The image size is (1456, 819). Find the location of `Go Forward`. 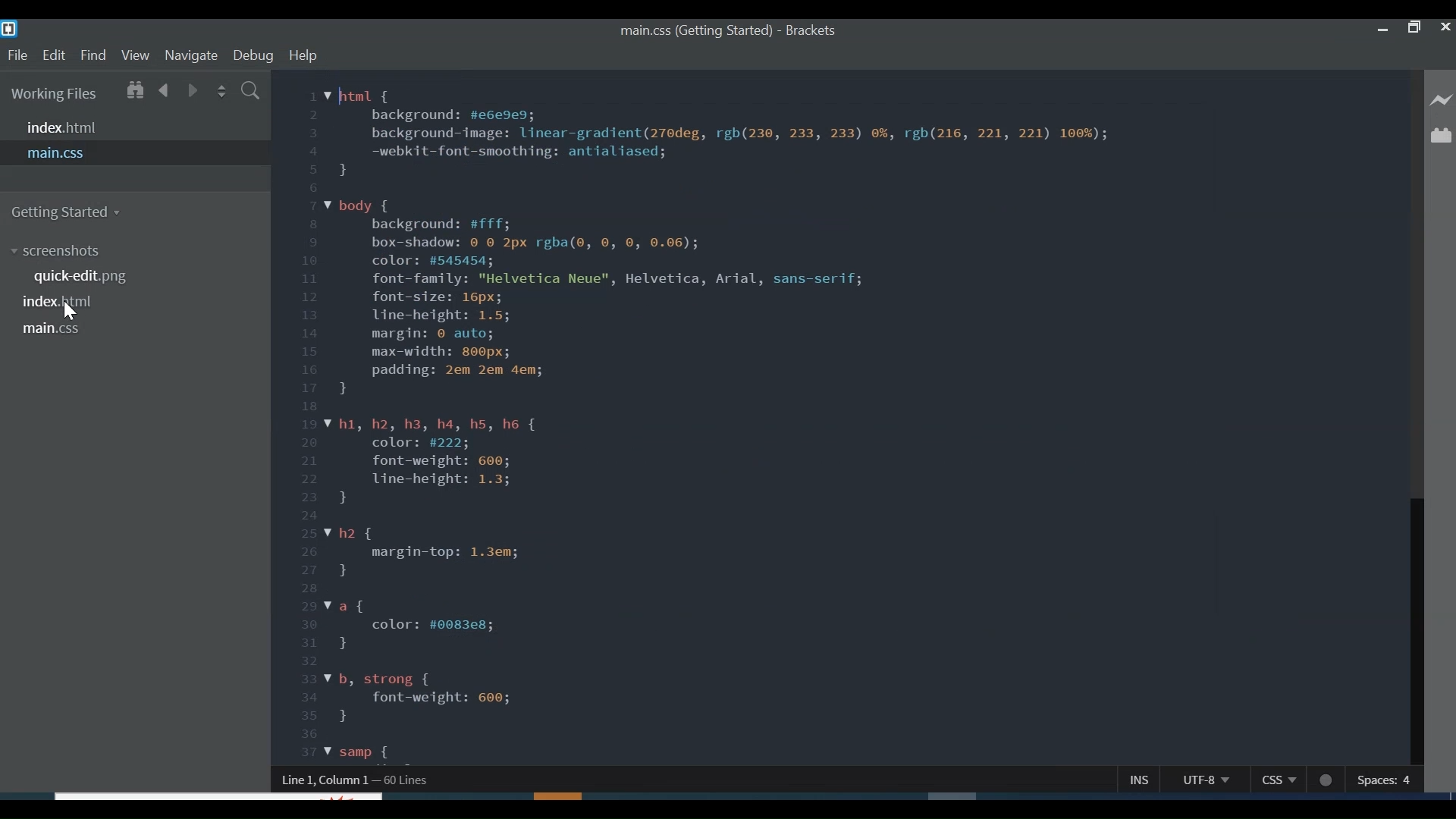

Go Forward is located at coordinates (193, 93).